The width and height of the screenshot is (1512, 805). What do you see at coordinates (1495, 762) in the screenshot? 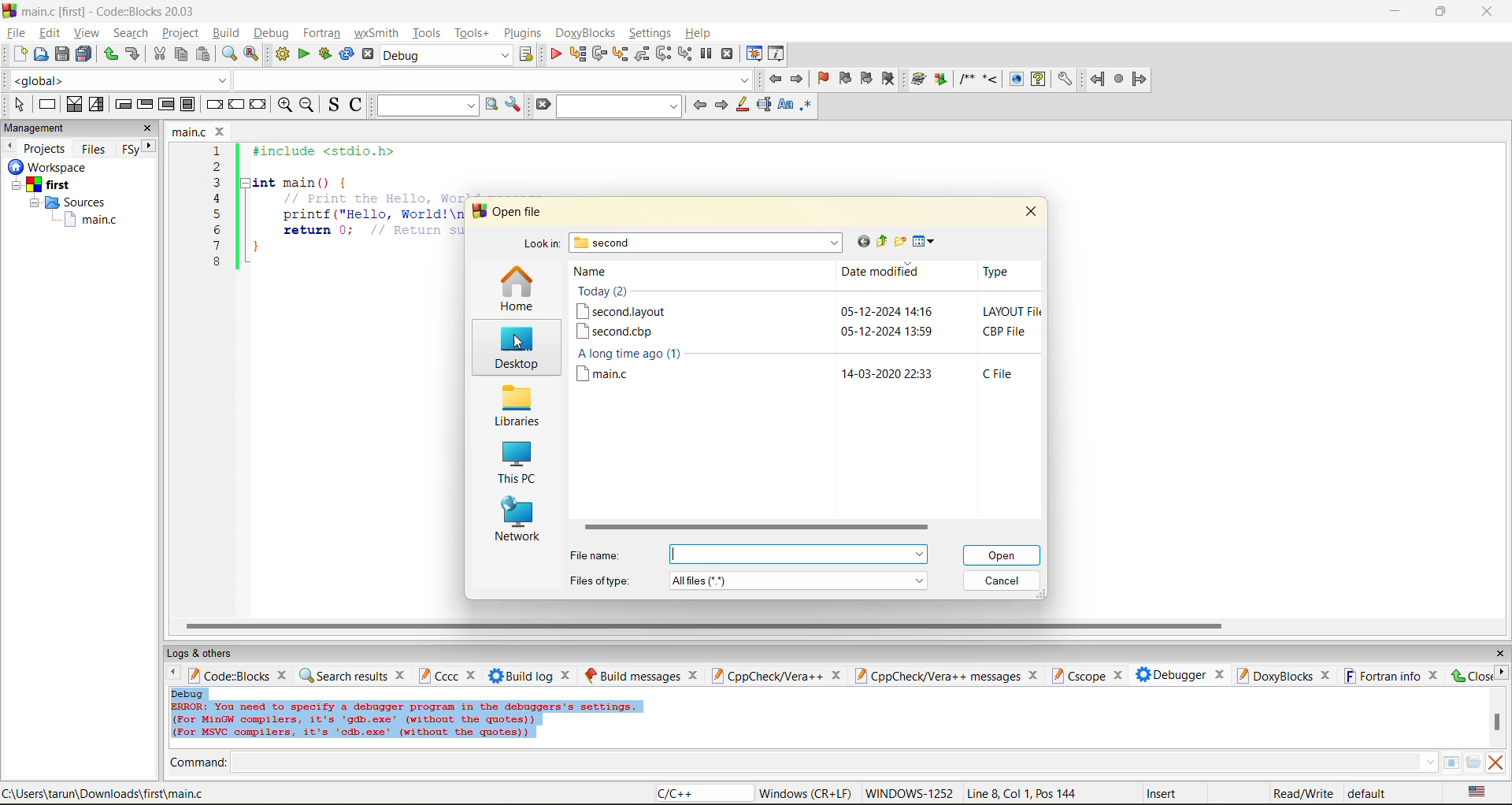
I see `clear output window` at bounding box center [1495, 762].